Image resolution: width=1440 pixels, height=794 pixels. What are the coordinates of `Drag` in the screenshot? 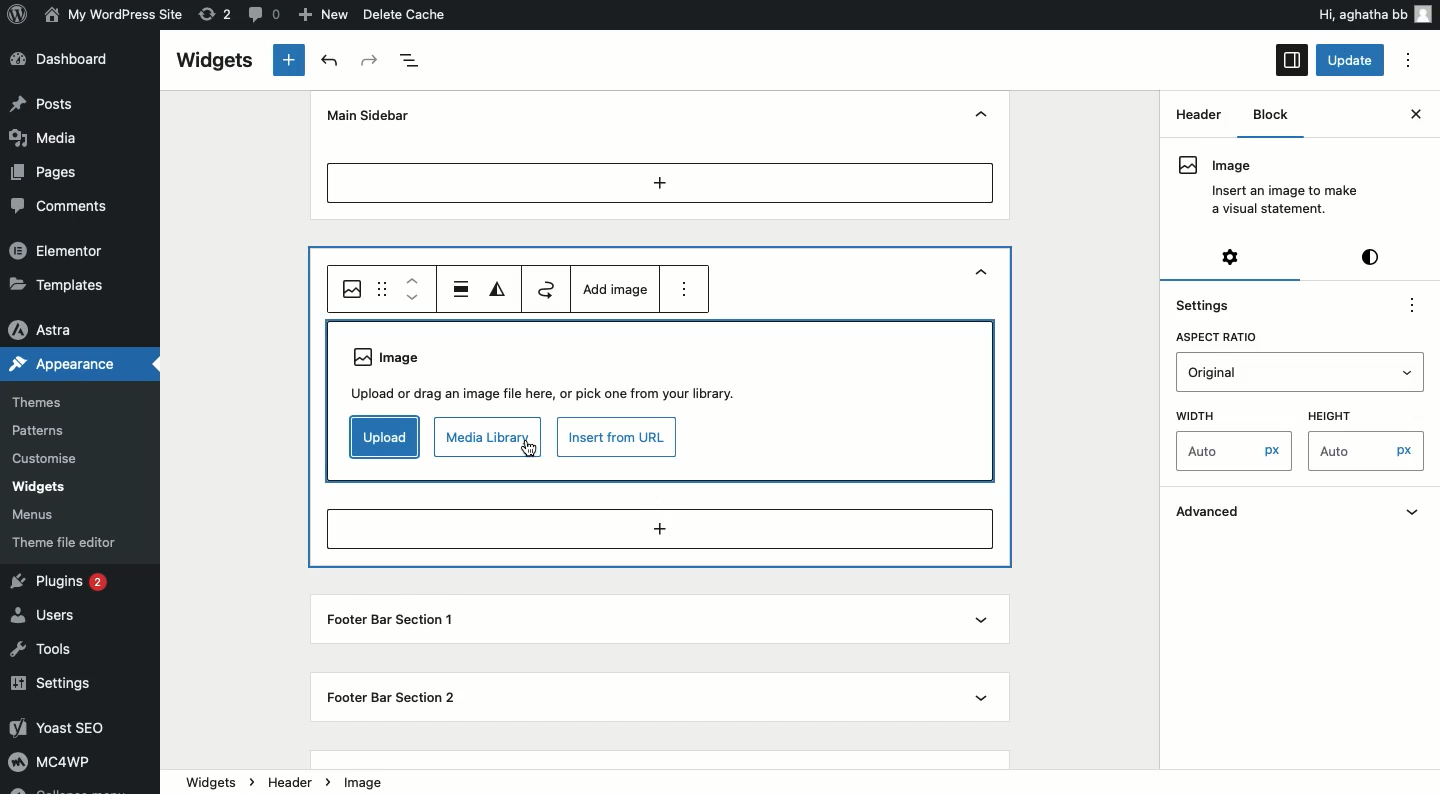 It's located at (384, 288).